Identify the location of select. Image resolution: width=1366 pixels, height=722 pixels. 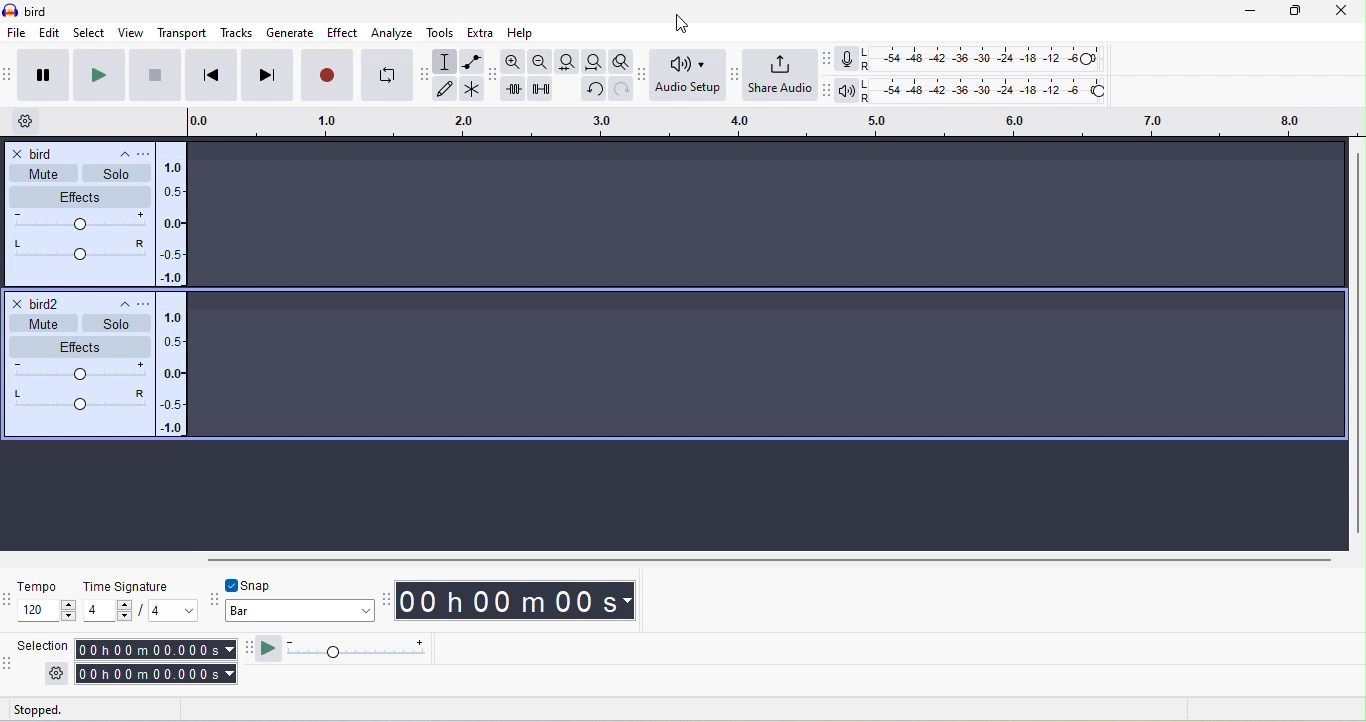
(89, 34).